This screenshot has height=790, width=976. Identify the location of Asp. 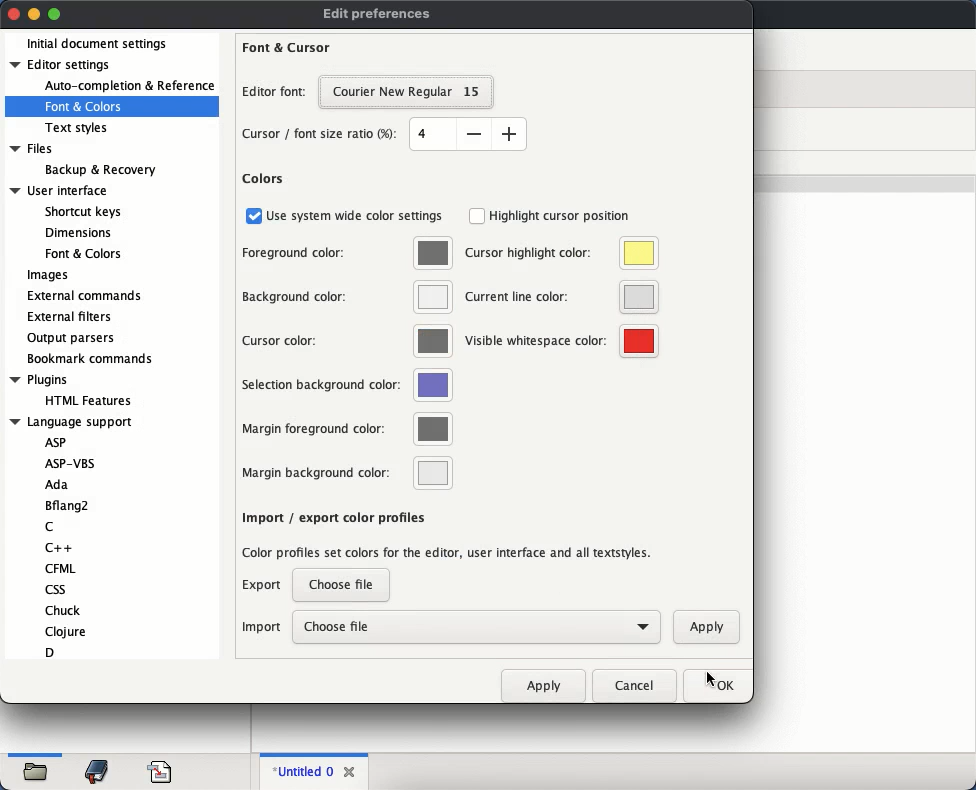
(55, 442).